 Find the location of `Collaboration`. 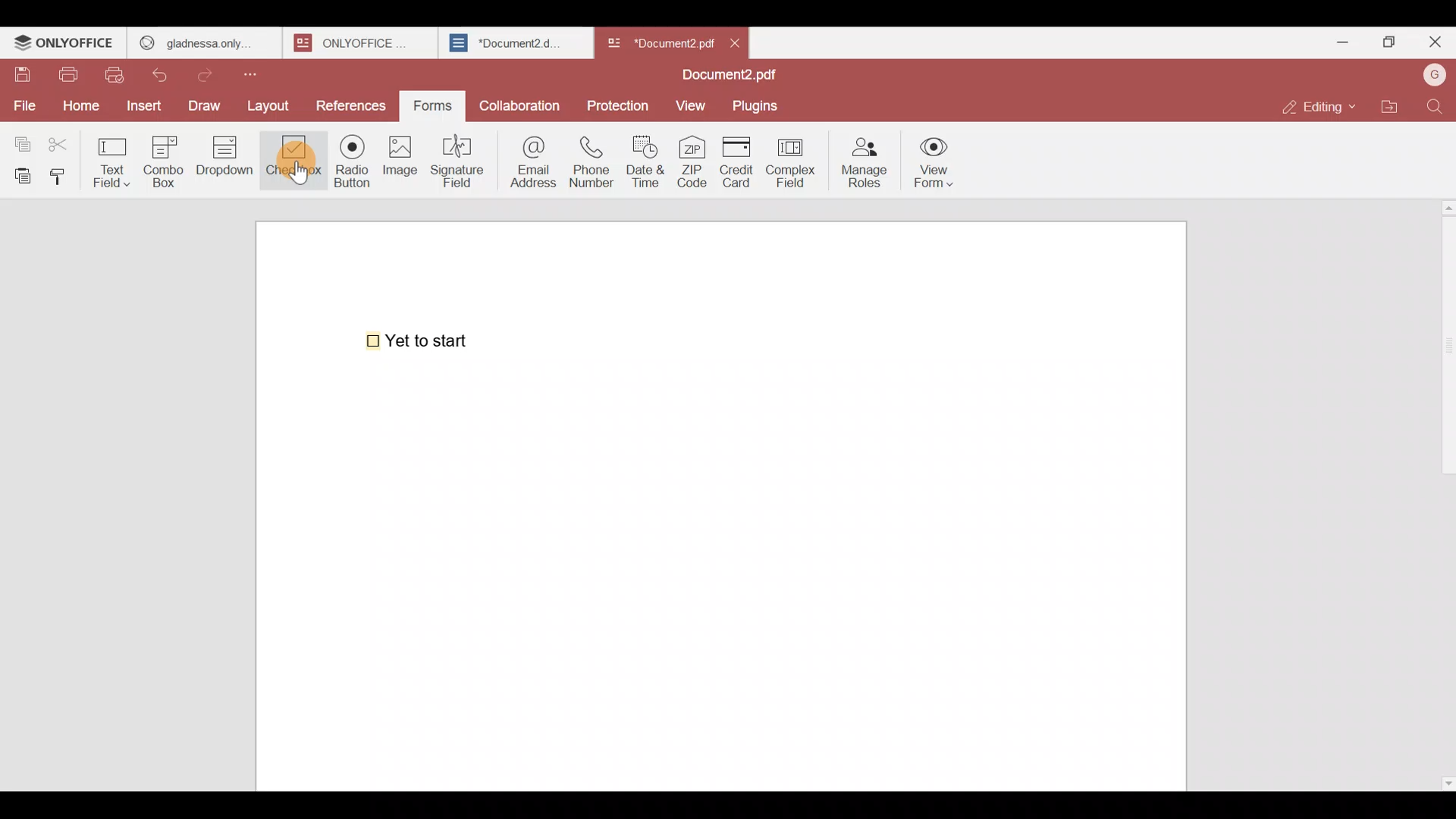

Collaboration is located at coordinates (521, 102).